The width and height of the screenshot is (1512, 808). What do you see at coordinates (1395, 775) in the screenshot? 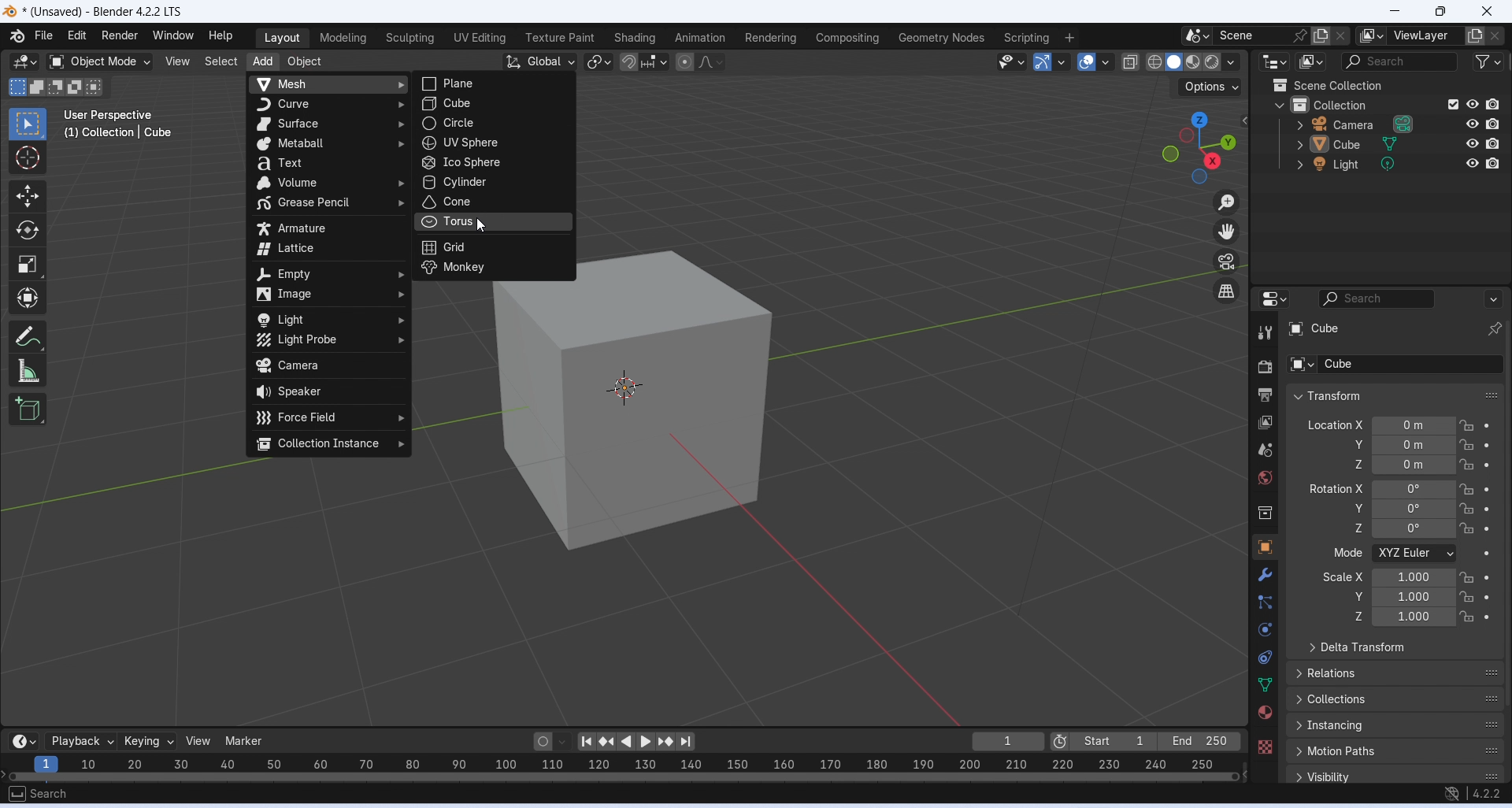
I see `Visibility` at bounding box center [1395, 775].